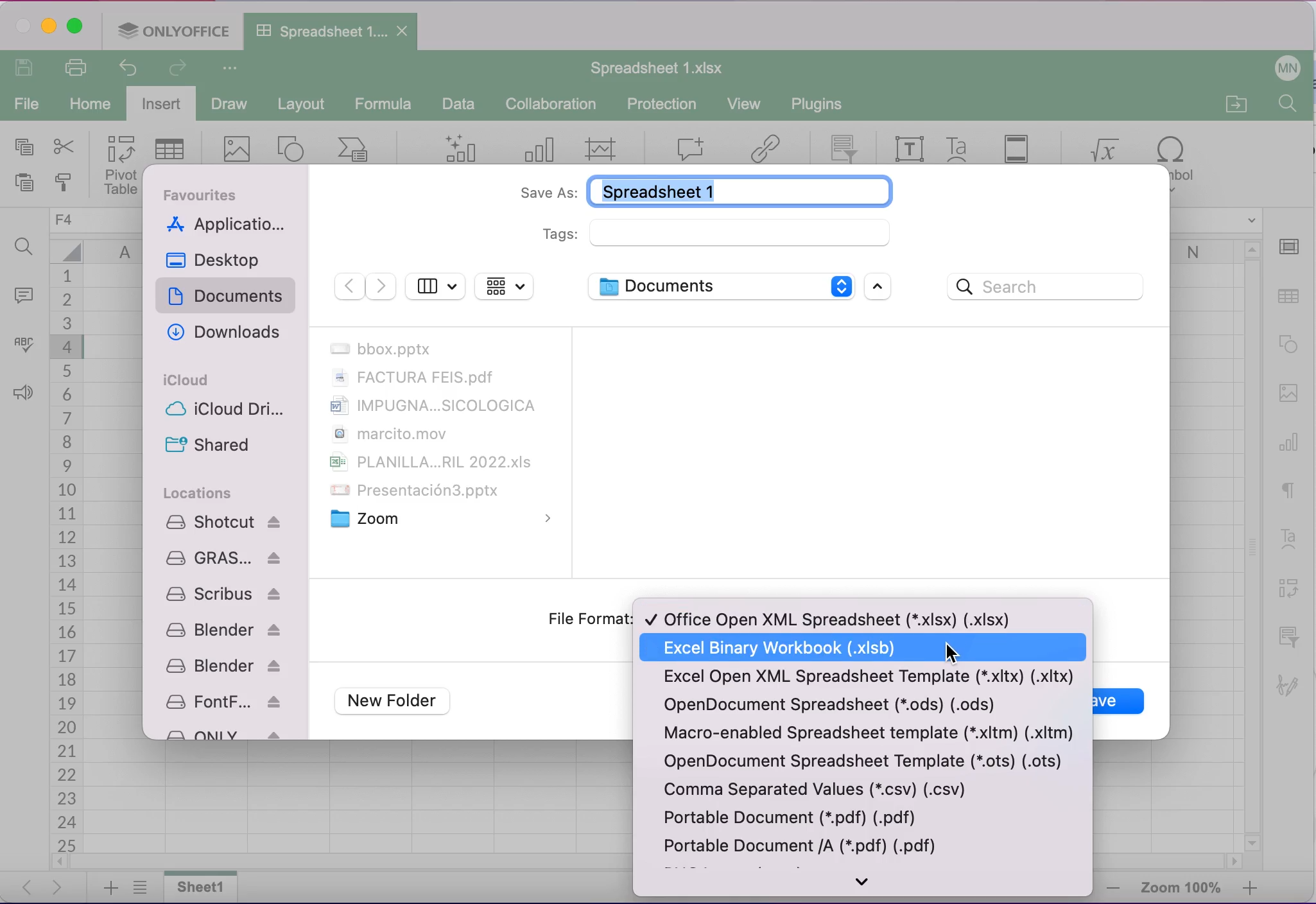  What do you see at coordinates (865, 760) in the screenshot?
I see `opendocument spreadsheet template` at bounding box center [865, 760].